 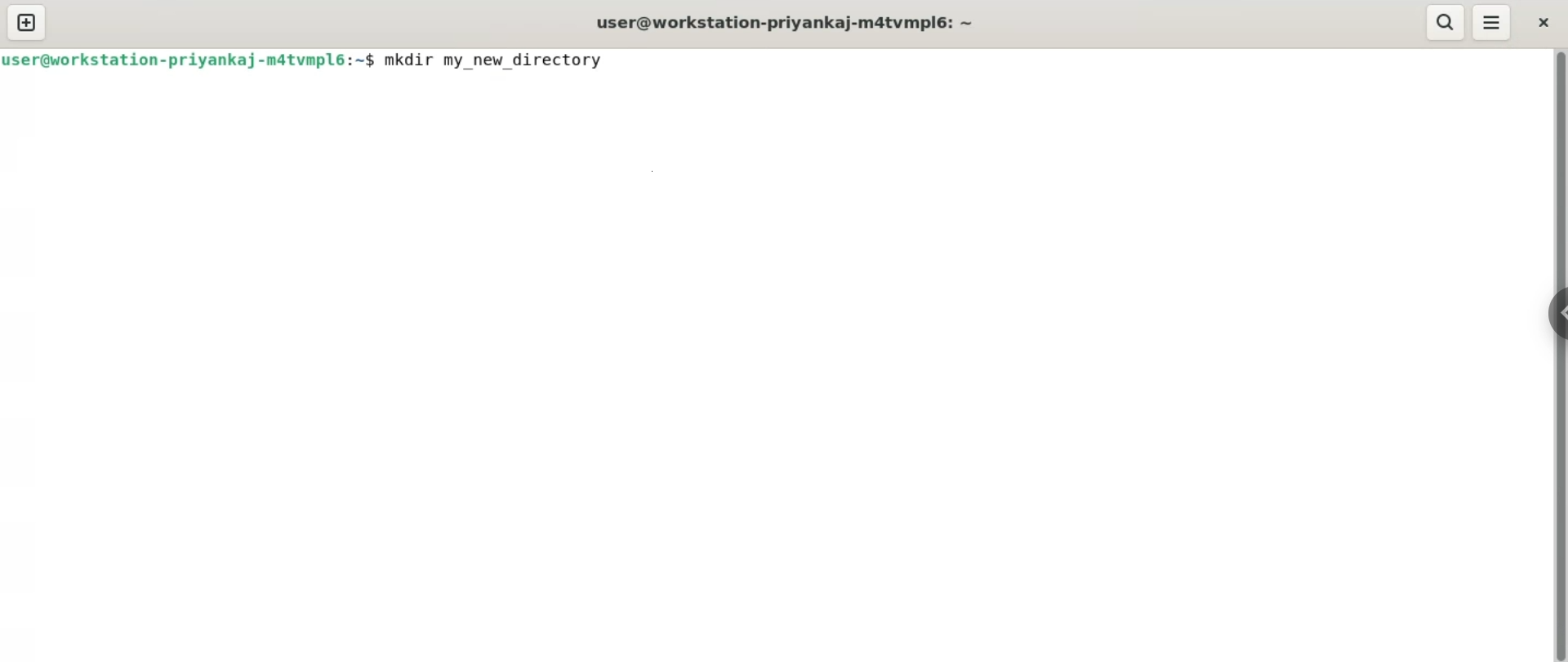 What do you see at coordinates (188, 60) in the screenshot?
I see `user@workstation-priyankaj-m4tvmpl6: ~ $` at bounding box center [188, 60].